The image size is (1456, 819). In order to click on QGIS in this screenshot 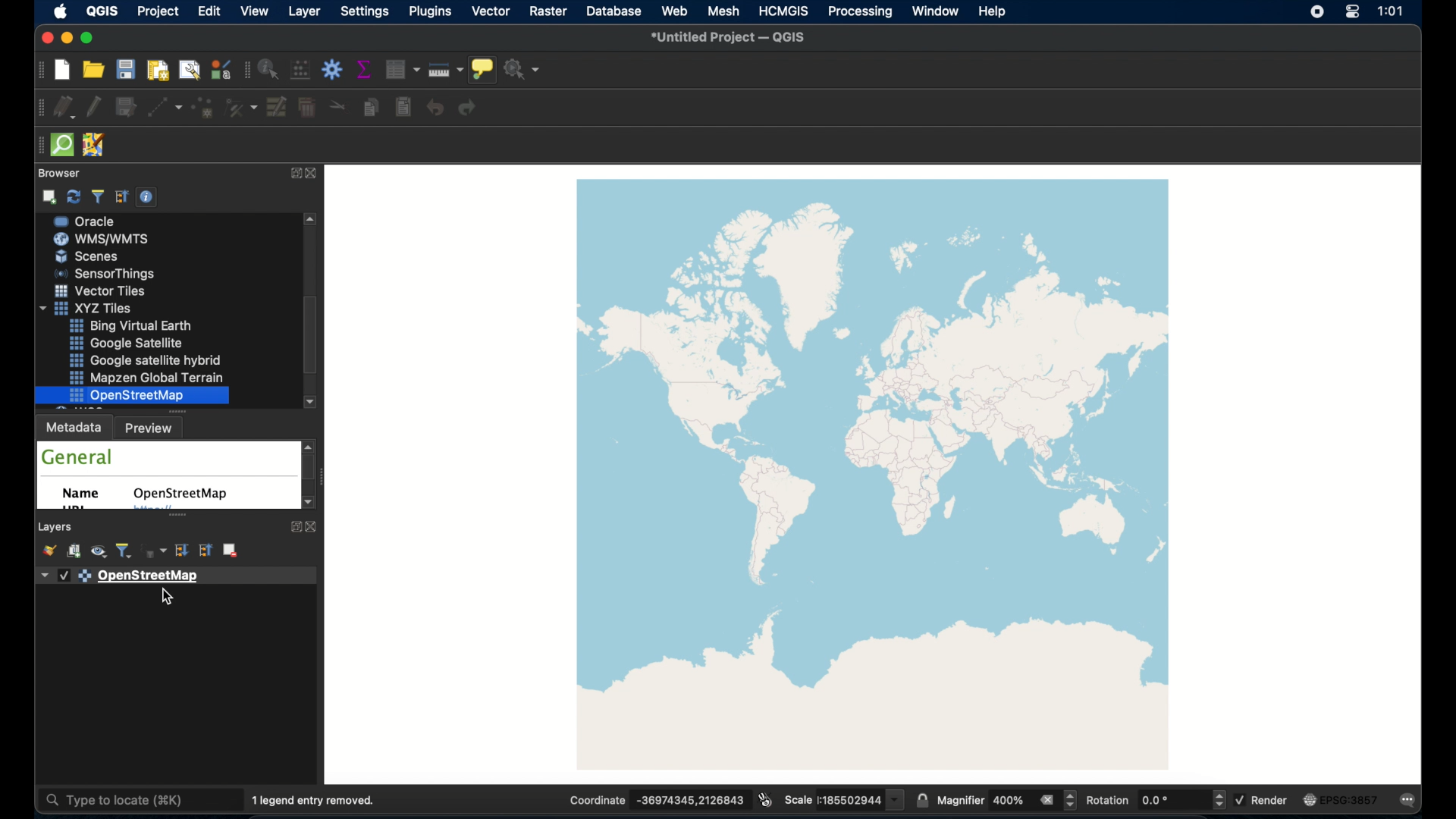, I will do `click(102, 11)`.